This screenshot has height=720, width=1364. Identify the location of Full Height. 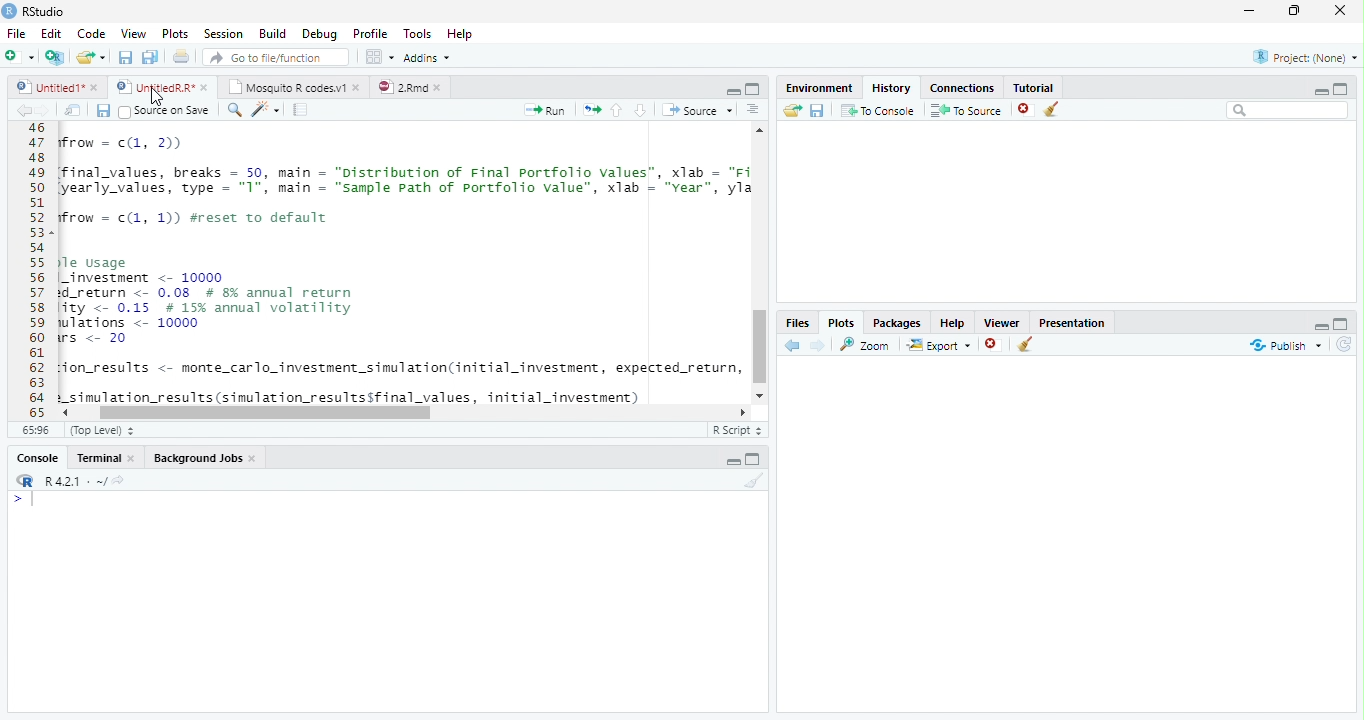
(1342, 87).